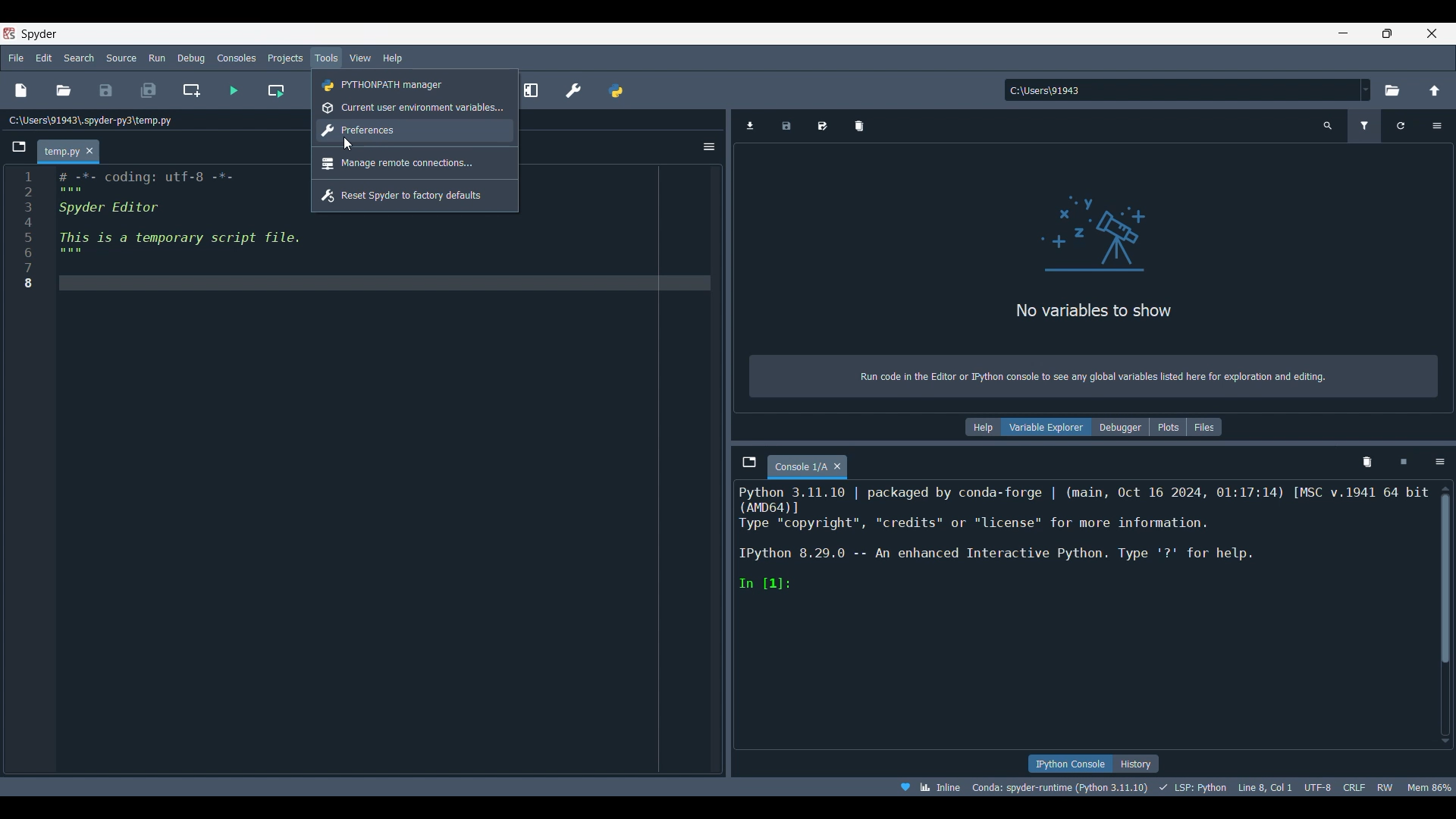  Describe the element at coordinates (64, 90) in the screenshot. I see `Open` at that location.